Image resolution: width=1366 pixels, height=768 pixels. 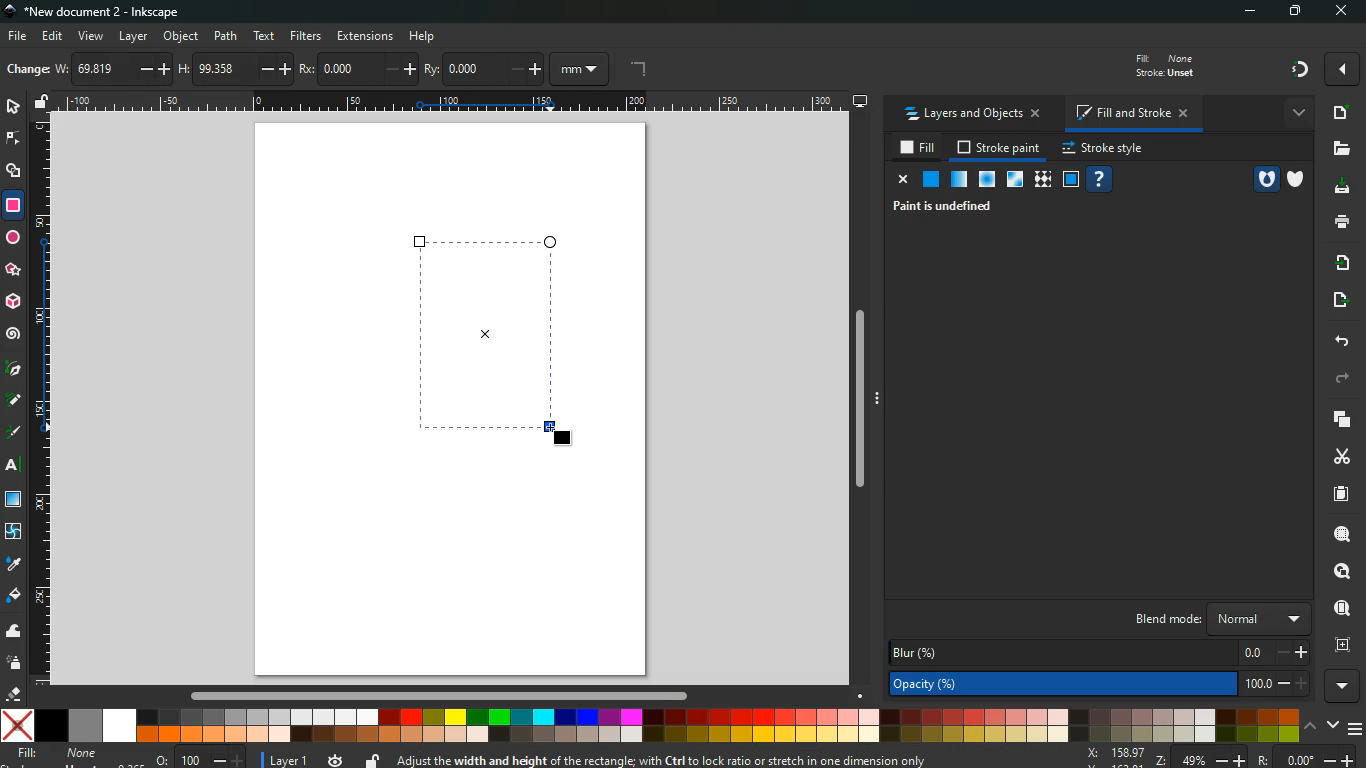 What do you see at coordinates (987, 180) in the screenshot?
I see `ice` at bounding box center [987, 180].